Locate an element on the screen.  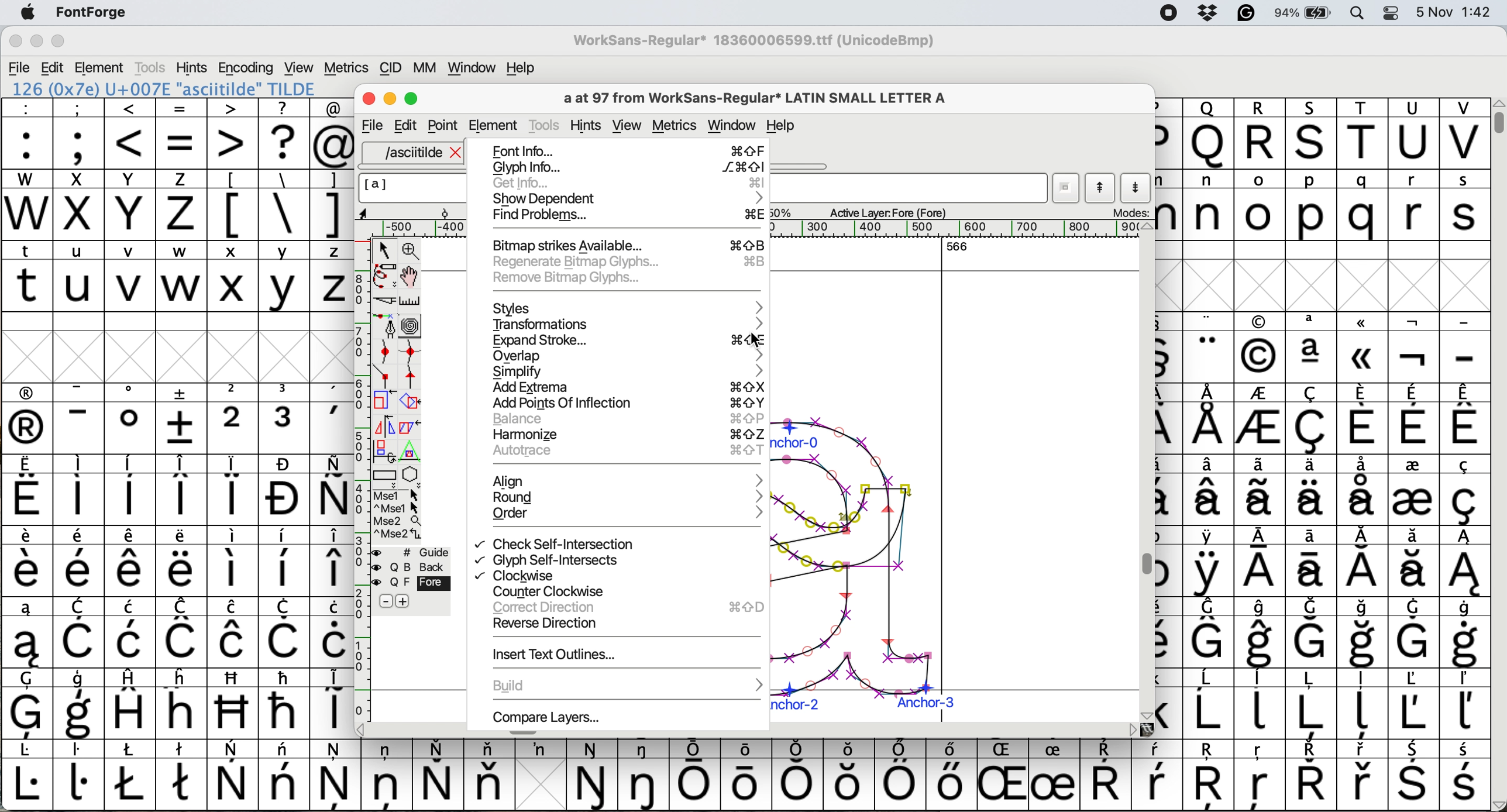
symbol is located at coordinates (1310, 775).